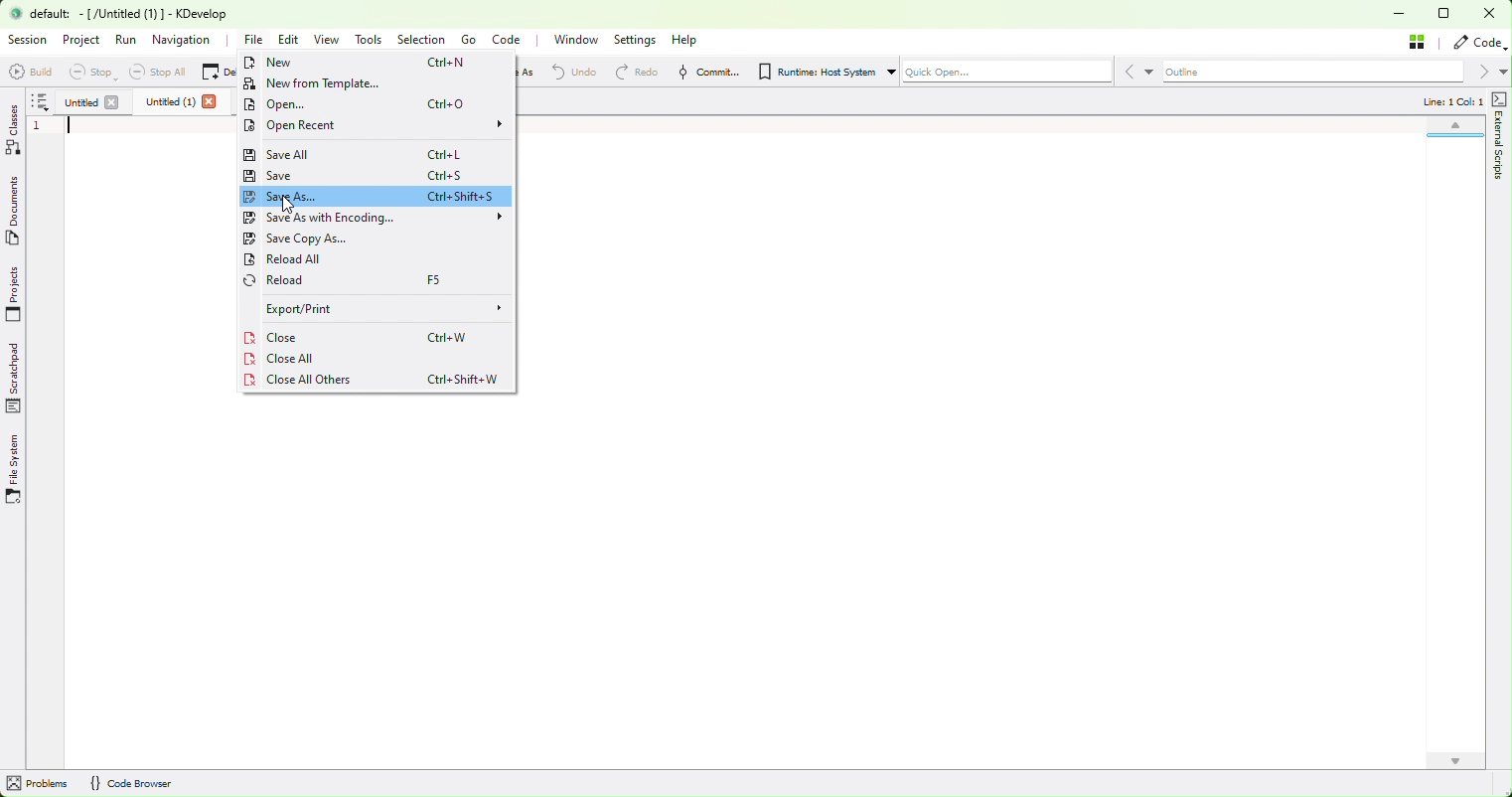 Image resolution: width=1512 pixels, height=797 pixels. Describe the element at coordinates (1455, 761) in the screenshot. I see `scroll down` at that location.